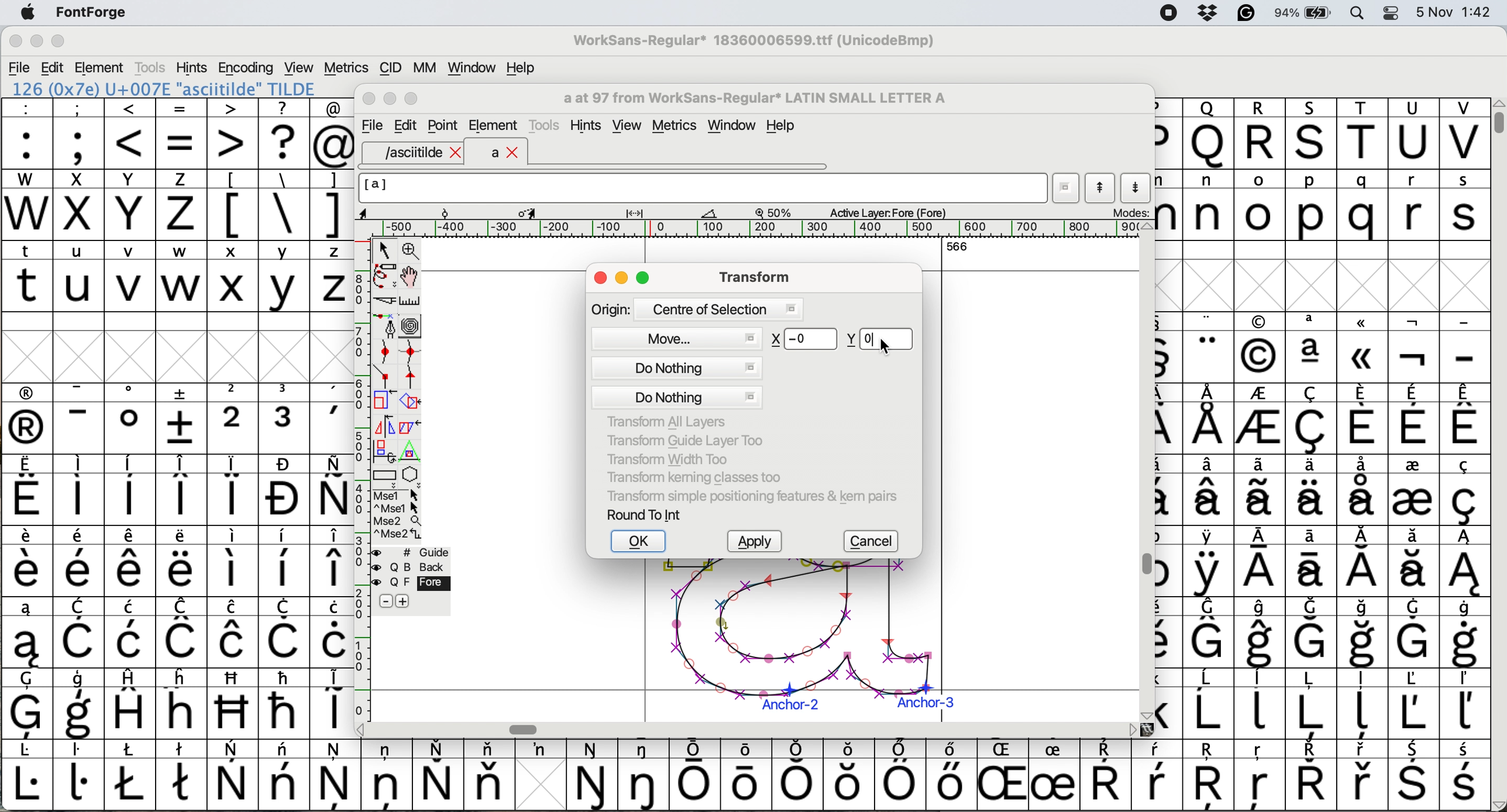 This screenshot has width=1507, height=812. I want to click on asciitilde, so click(421, 153).